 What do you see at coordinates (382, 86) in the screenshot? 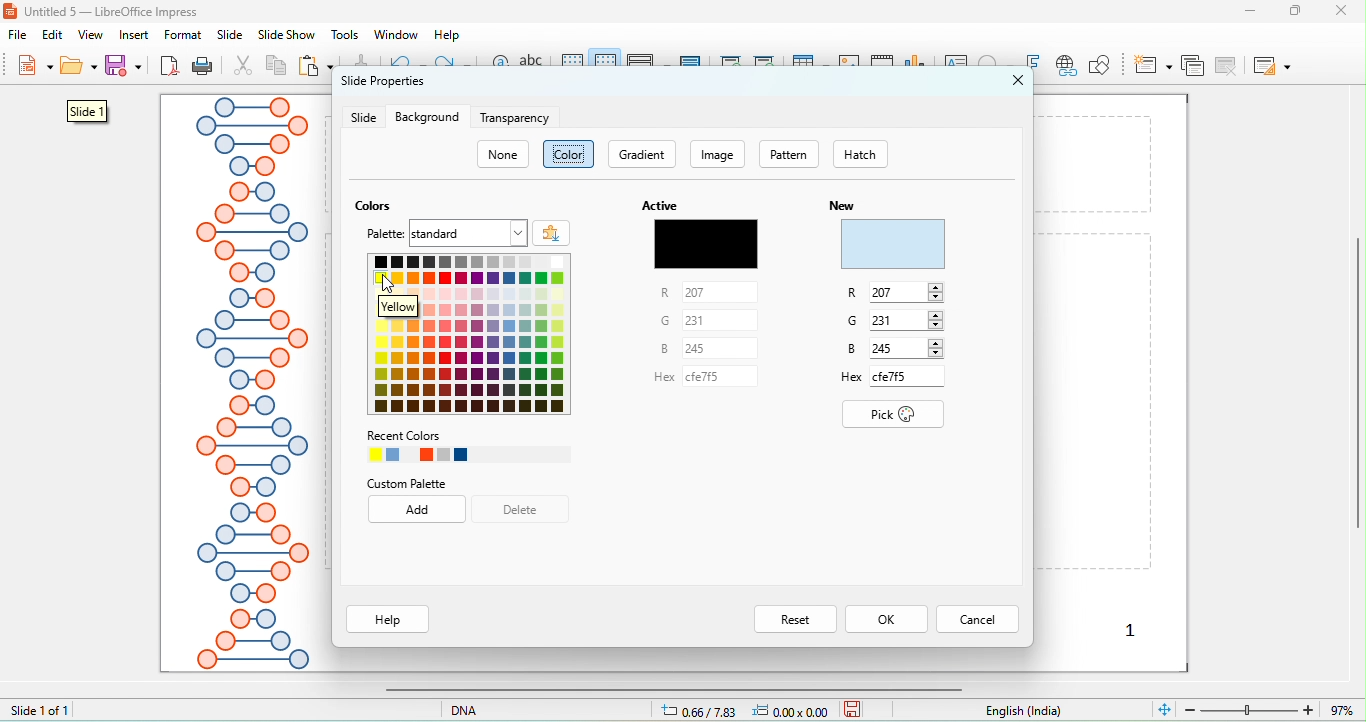
I see `slide properties` at bounding box center [382, 86].